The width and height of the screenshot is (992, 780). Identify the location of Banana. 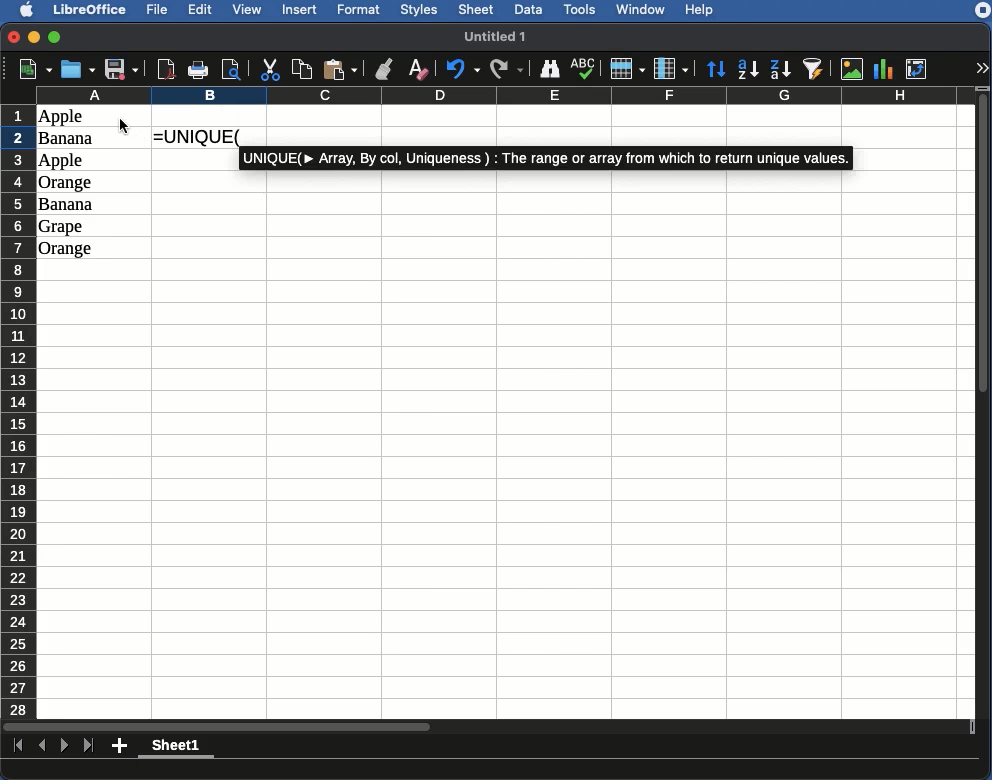
(67, 205).